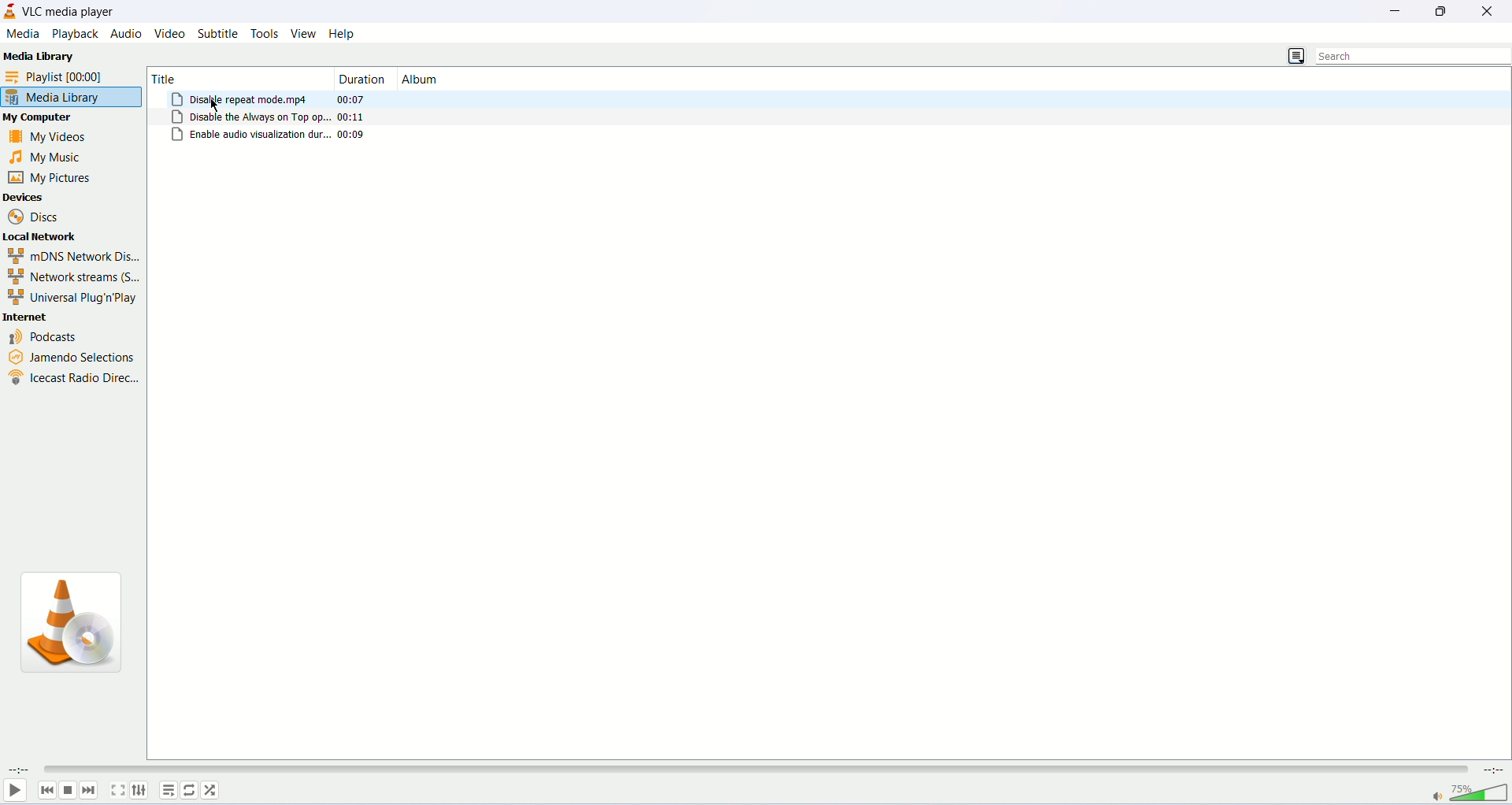  I want to click on jamendo selections, so click(68, 354).